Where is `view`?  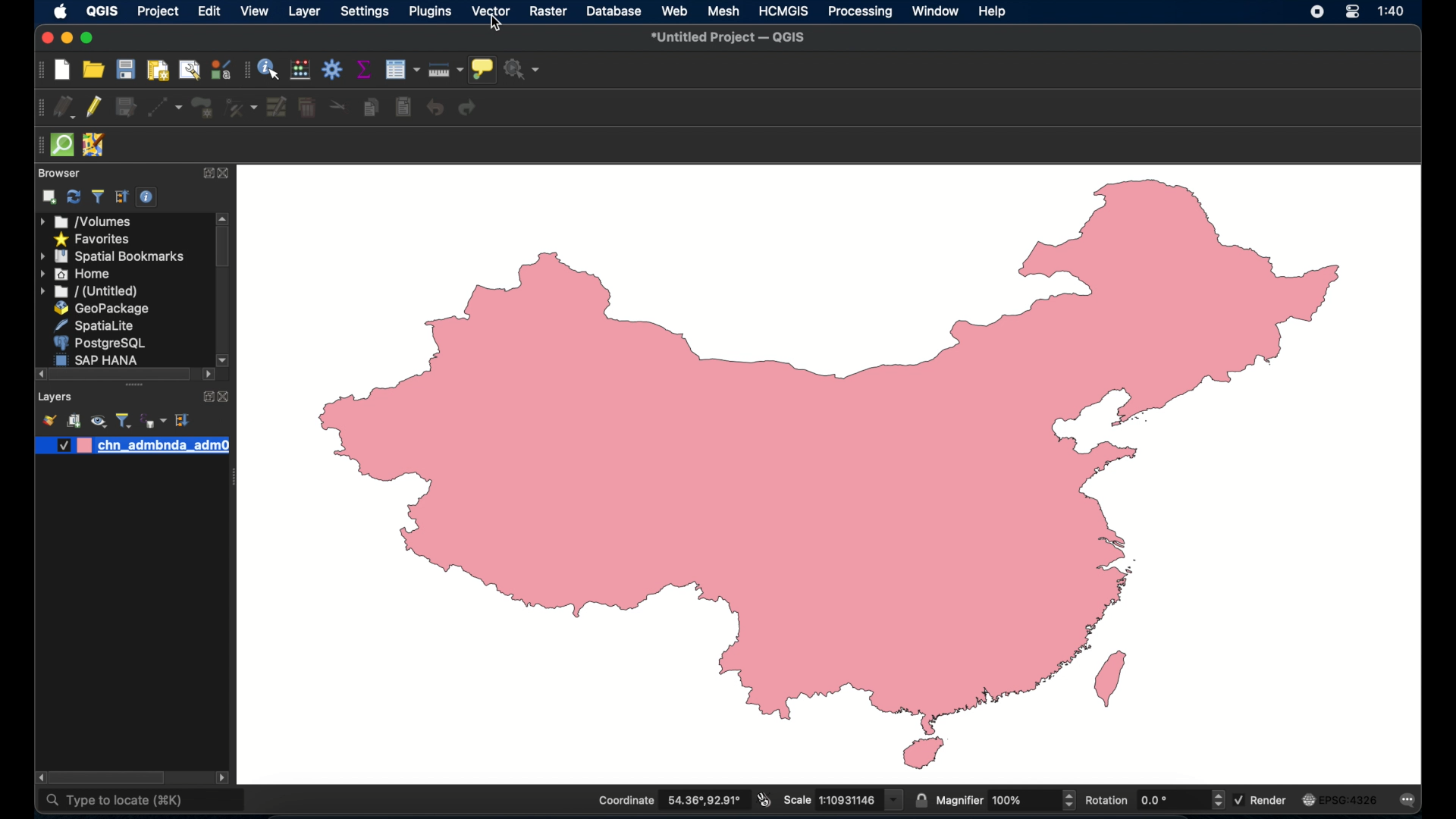
view is located at coordinates (255, 11).